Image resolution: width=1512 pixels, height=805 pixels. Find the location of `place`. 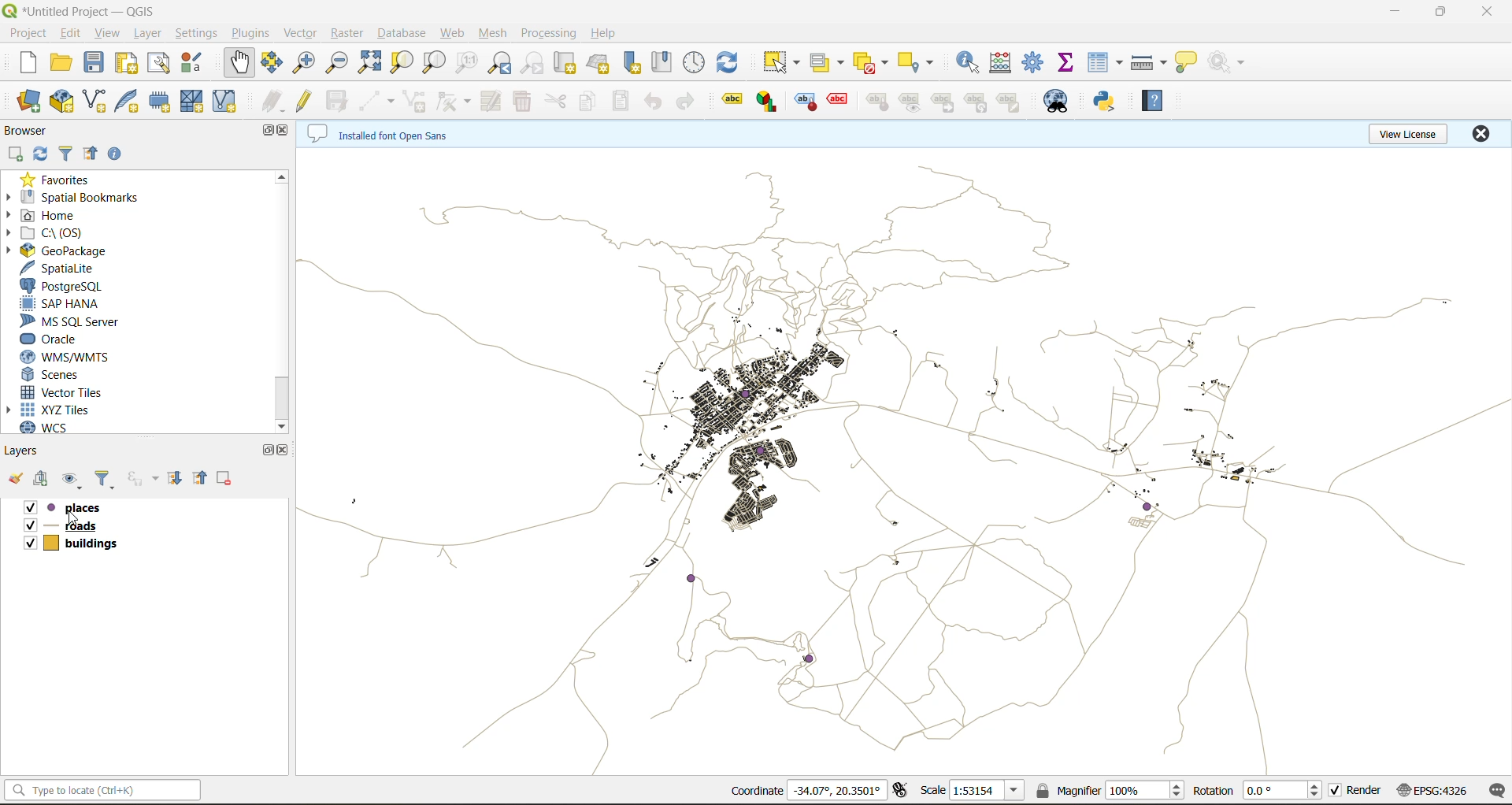

place is located at coordinates (76, 508).